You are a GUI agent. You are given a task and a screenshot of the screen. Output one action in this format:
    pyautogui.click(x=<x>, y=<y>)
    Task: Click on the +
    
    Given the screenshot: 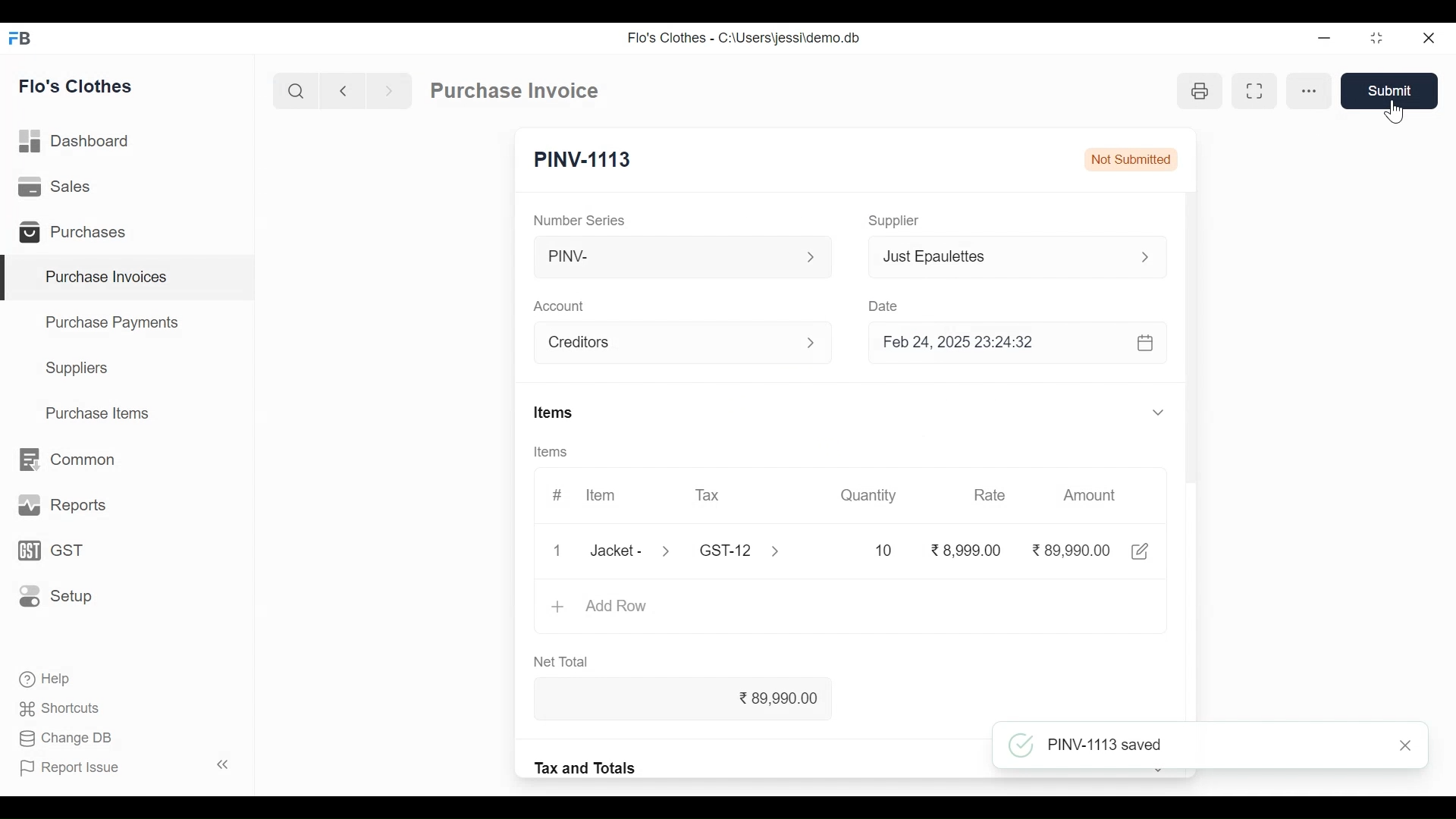 What is the action you would take?
    pyautogui.click(x=557, y=608)
    